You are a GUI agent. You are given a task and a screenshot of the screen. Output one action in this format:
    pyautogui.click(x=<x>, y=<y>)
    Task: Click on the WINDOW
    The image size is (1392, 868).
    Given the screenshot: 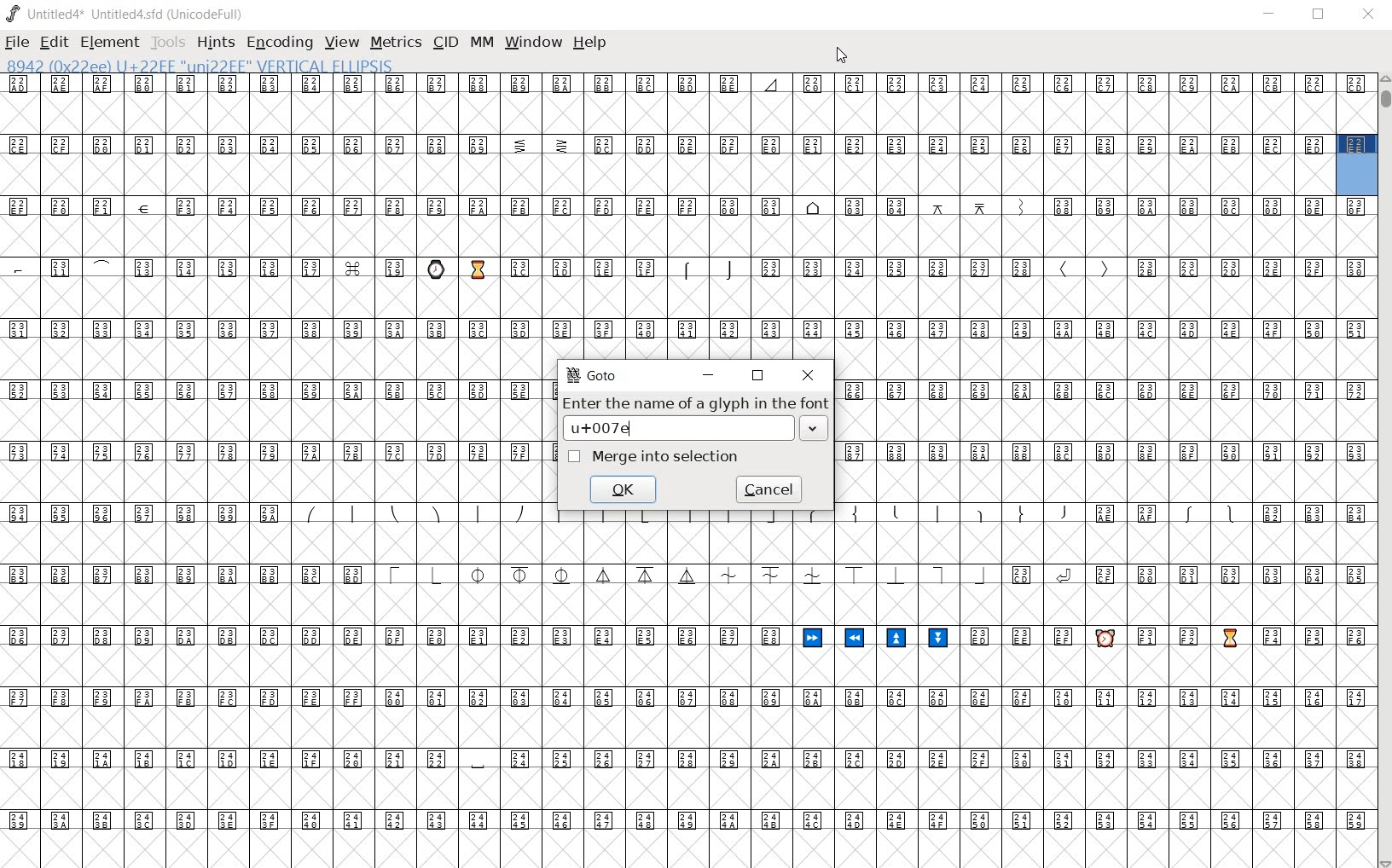 What is the action you would take?
    pyautogui.click(x=536, y=42)
    